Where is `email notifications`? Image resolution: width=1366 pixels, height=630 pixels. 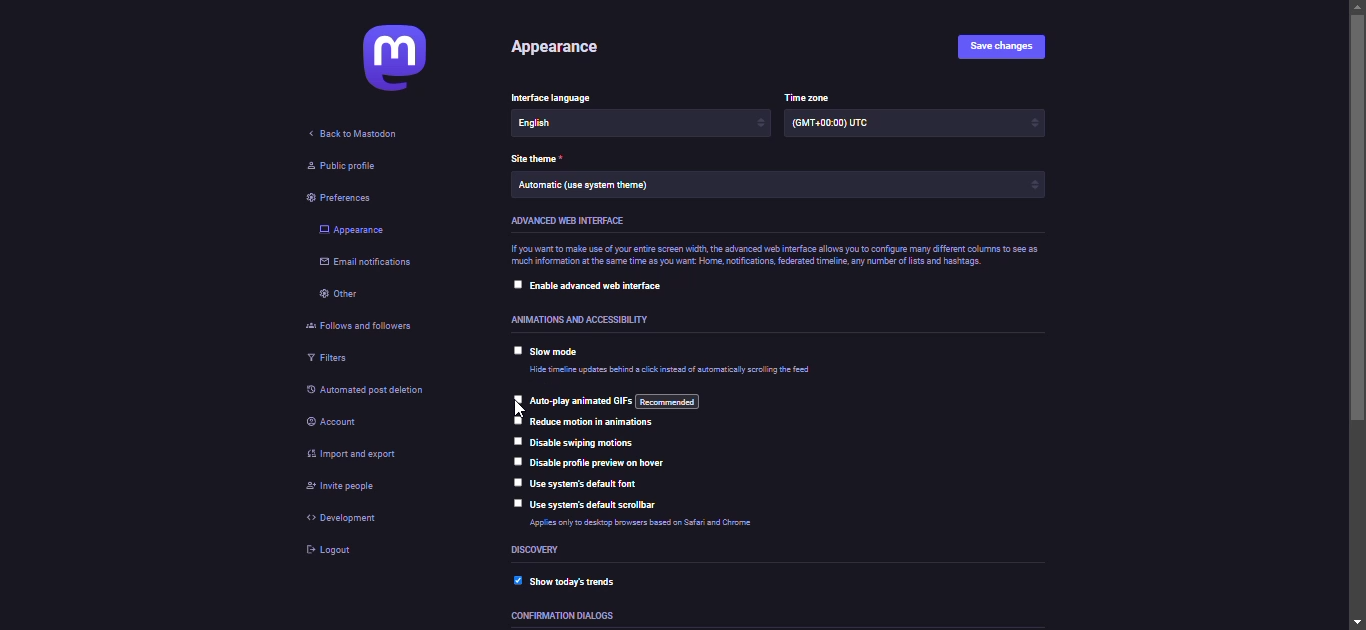
email notifications is located at coordinates (373, 263).